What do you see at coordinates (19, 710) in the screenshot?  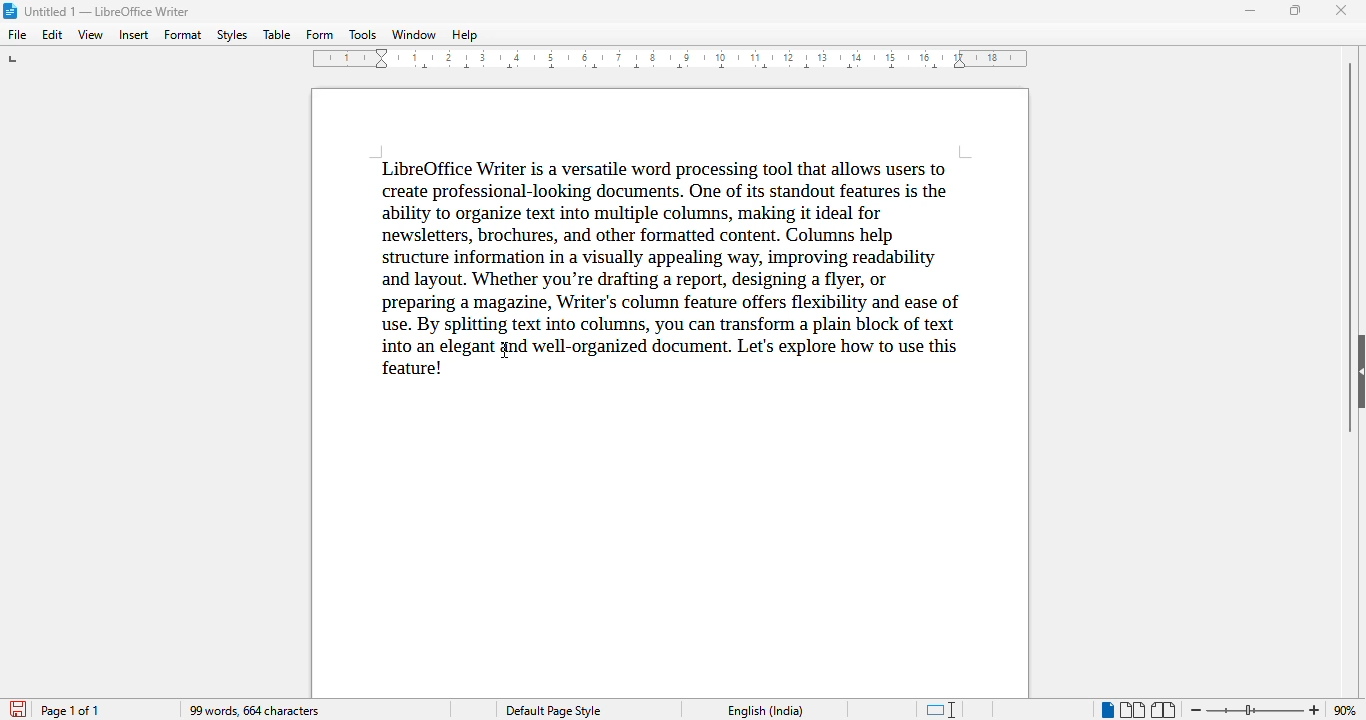 I see `click to save document` at bounding box center [19, 710].